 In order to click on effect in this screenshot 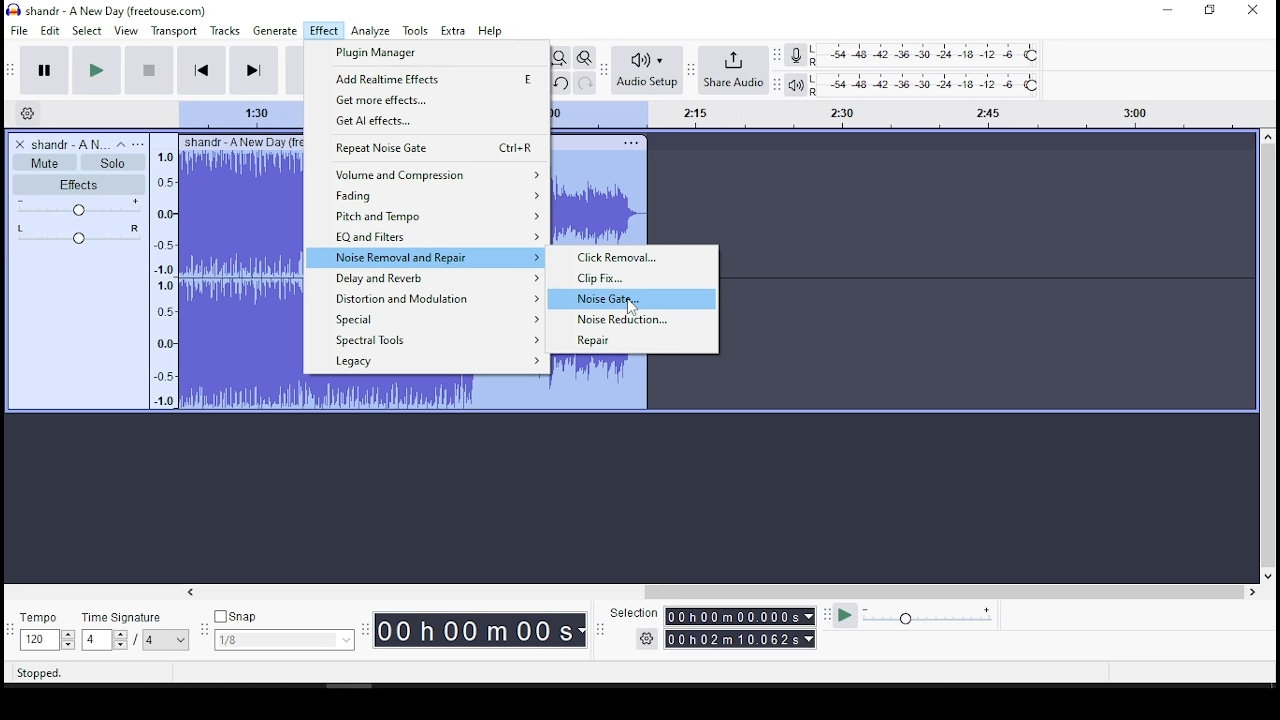, I will do `click(325, 30)`.